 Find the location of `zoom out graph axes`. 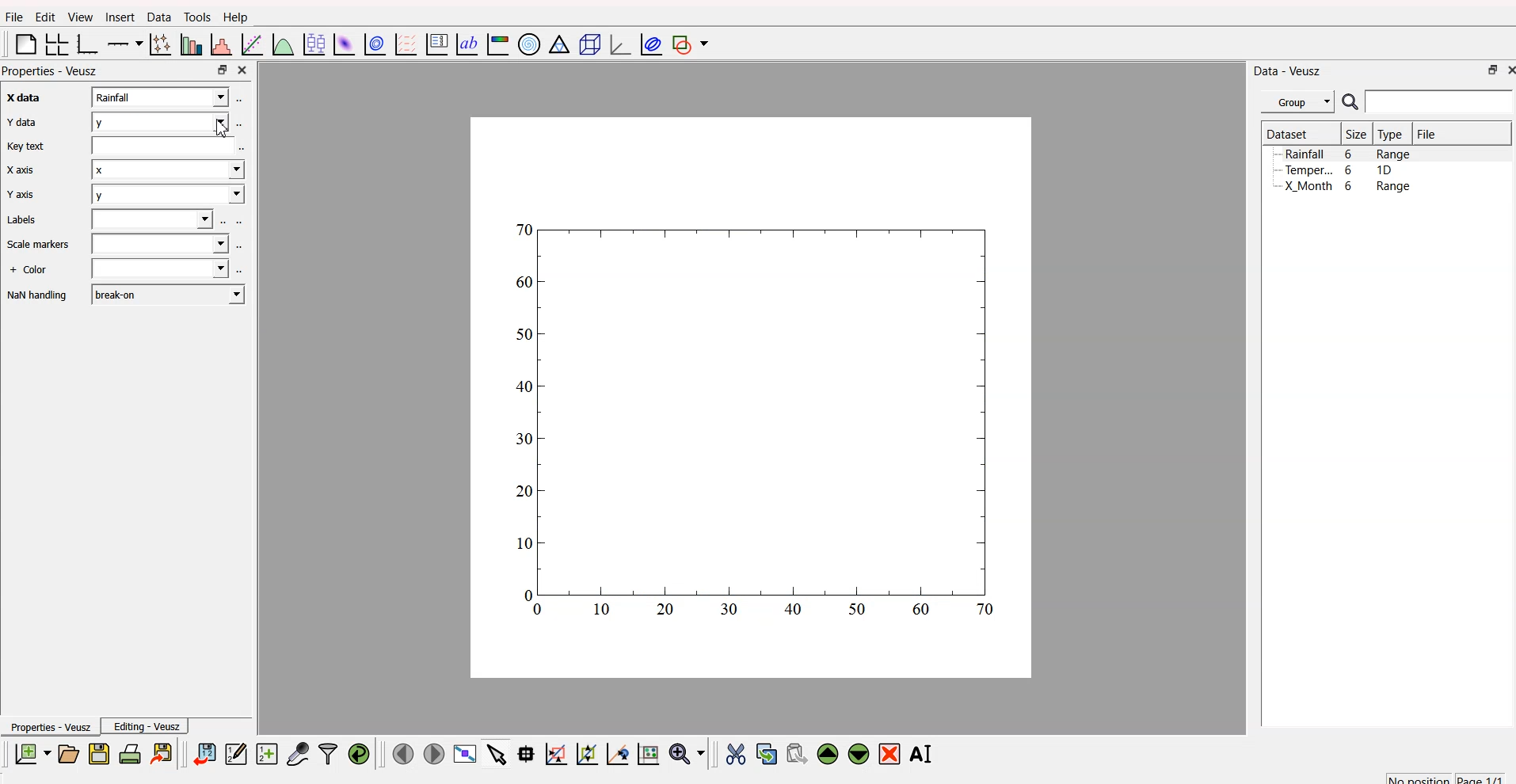

zoom out graph axes is located at coordinates (616, 754).